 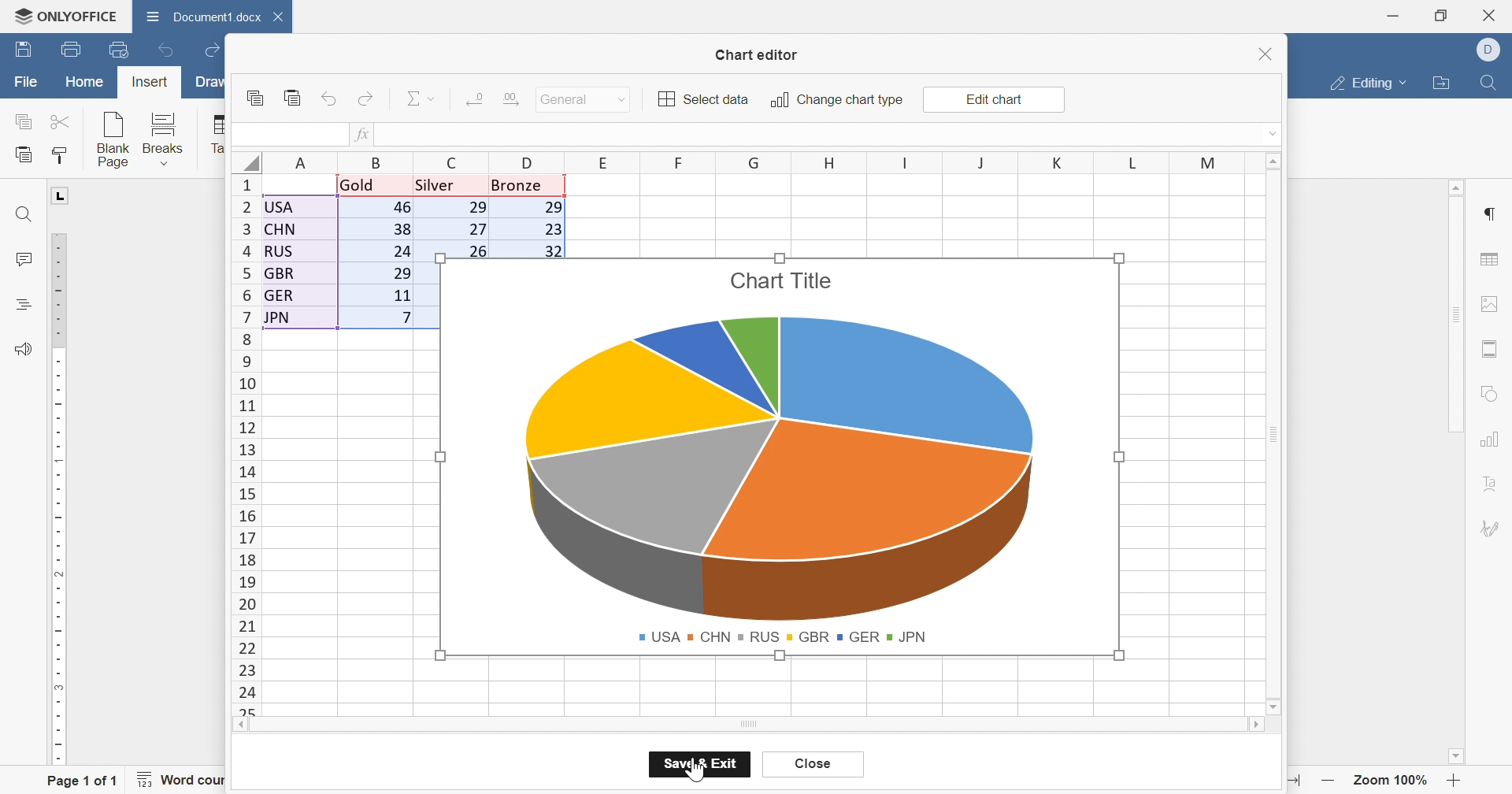 What do you see at coordinates (164, 50) in the screenshot?
I see `Undo` at bounding box center [164, 50].